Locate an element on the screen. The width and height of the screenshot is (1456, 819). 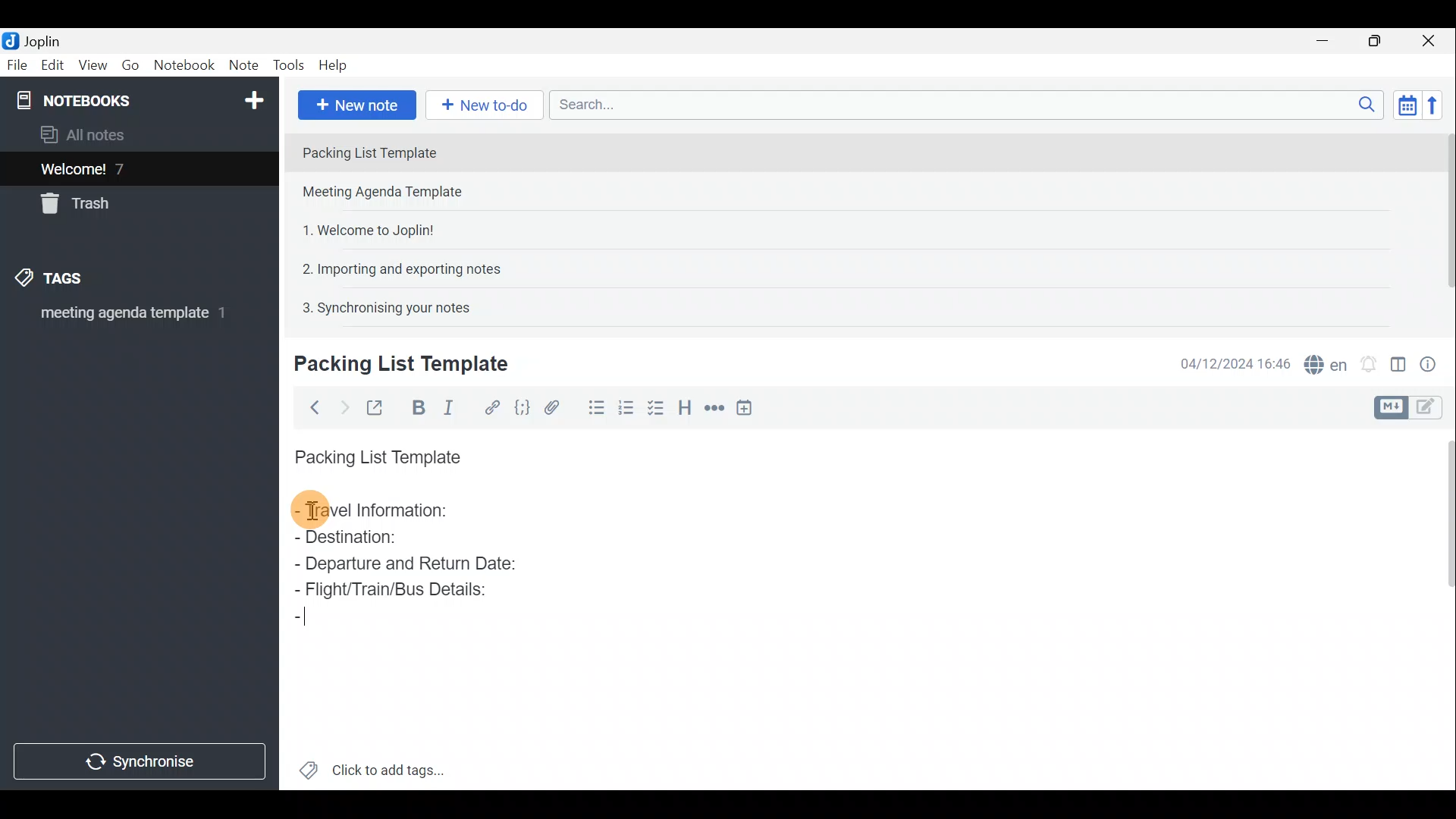
View is located at coordinates (94, 65).